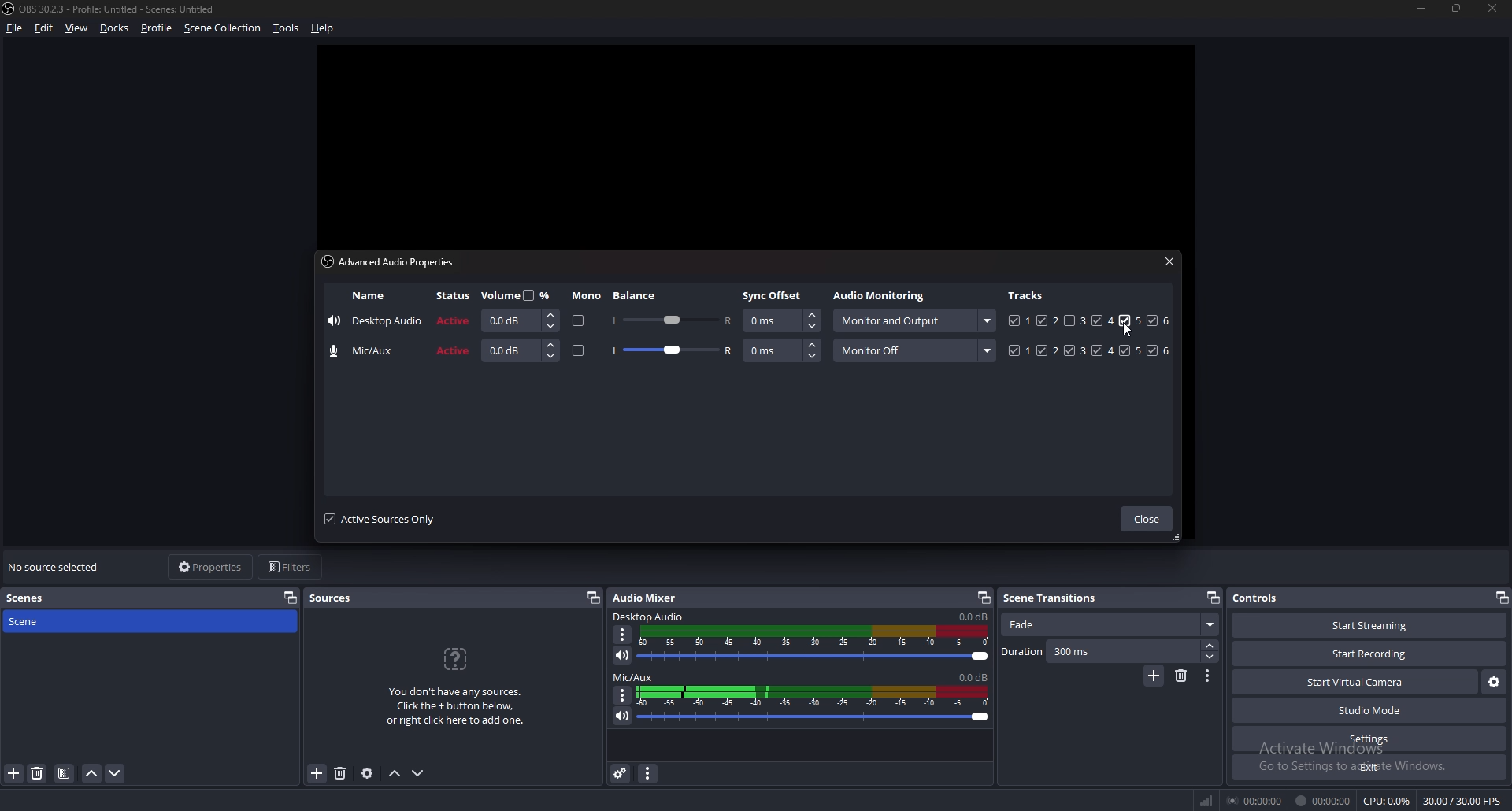 Image resolution: width=1512 pixels, height=811 pixels. What do you see at coordinates (783, 350) in the screenshot?
I see `syns offset input` at bounding box center [783, 350].